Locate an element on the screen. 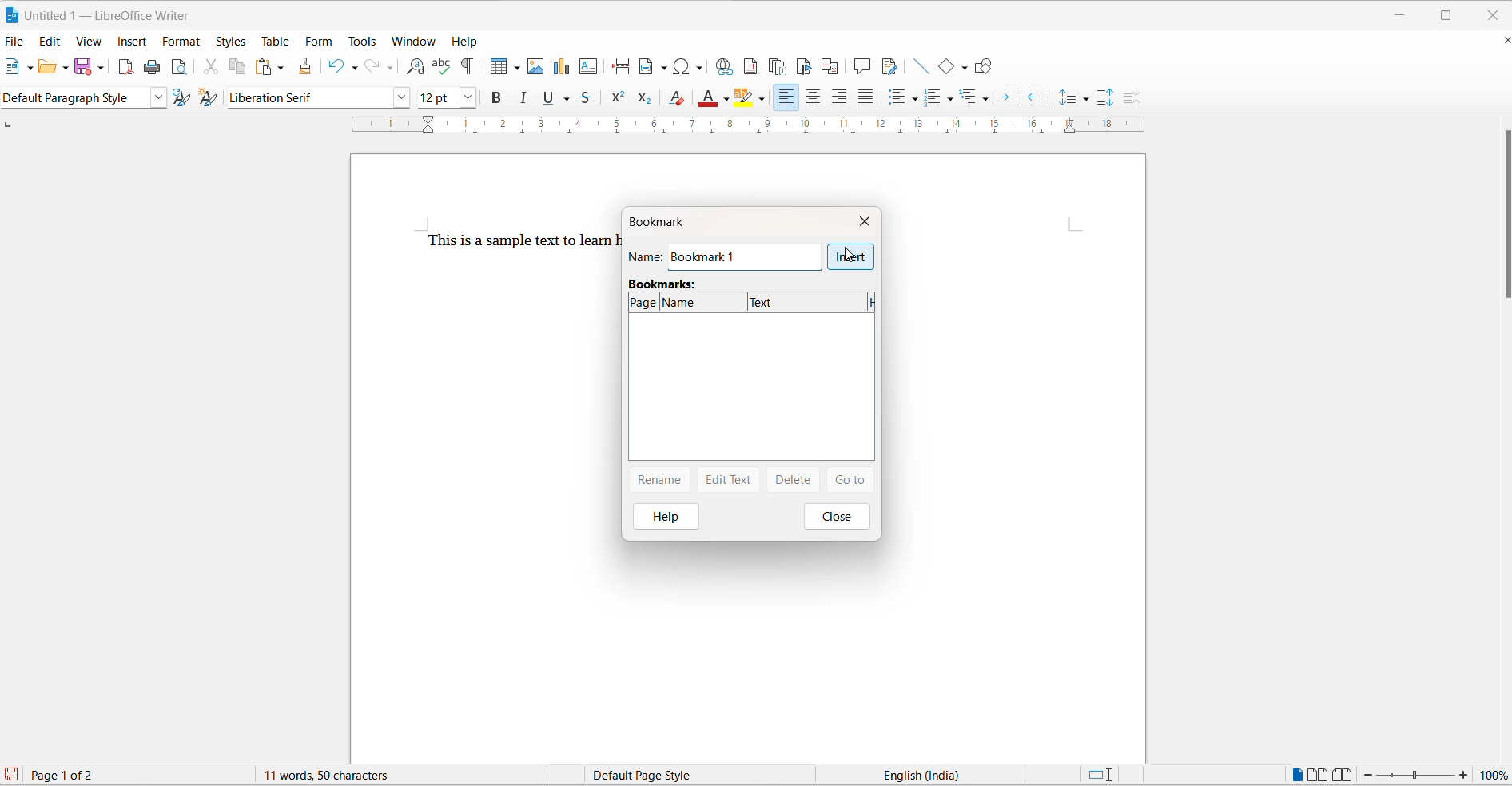  special characters is located at coordinates (690, 68).